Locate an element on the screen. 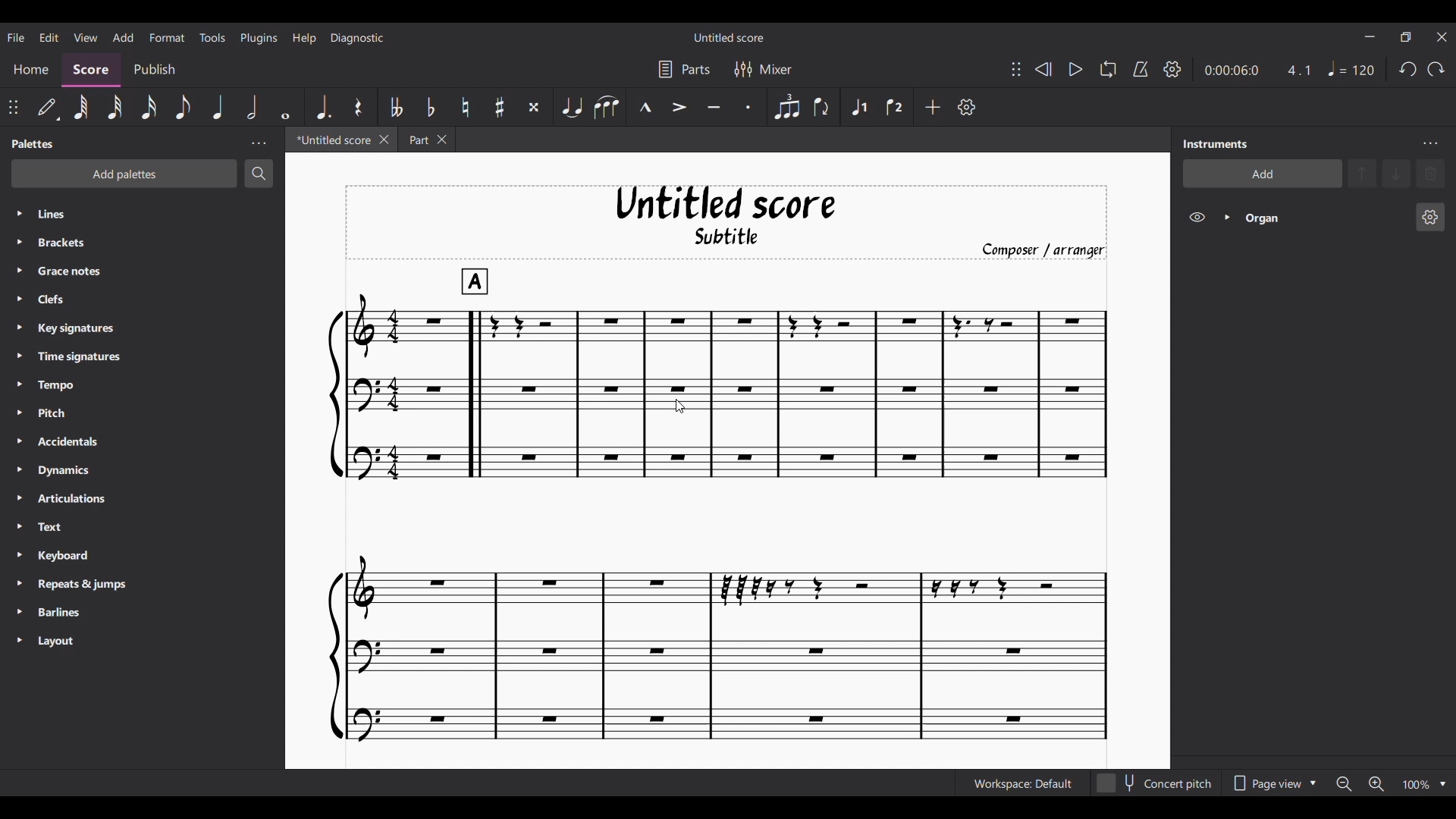  Default is located at coordinates (48, 107).